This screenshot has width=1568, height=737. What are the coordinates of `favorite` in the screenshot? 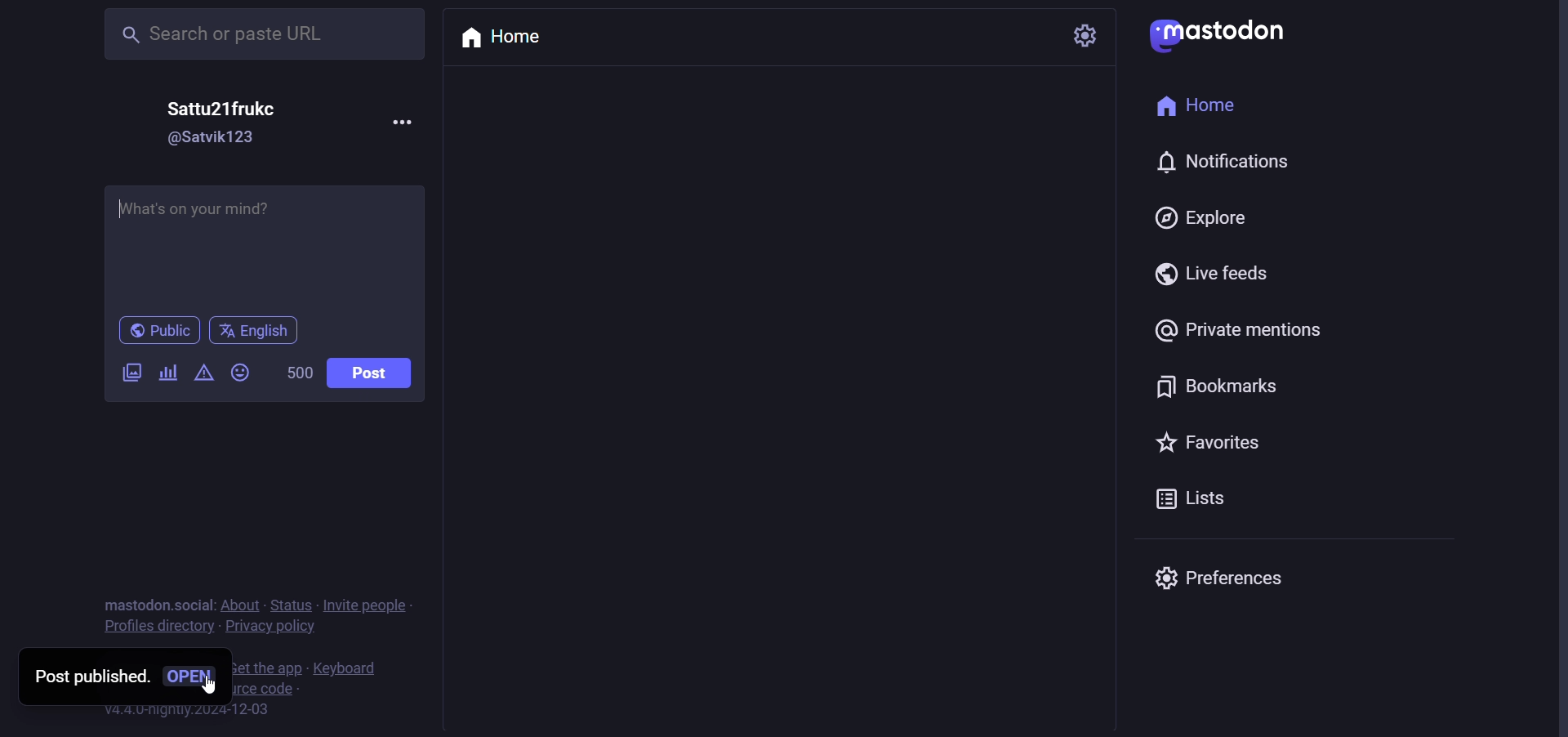 It's located at (1204, 443).